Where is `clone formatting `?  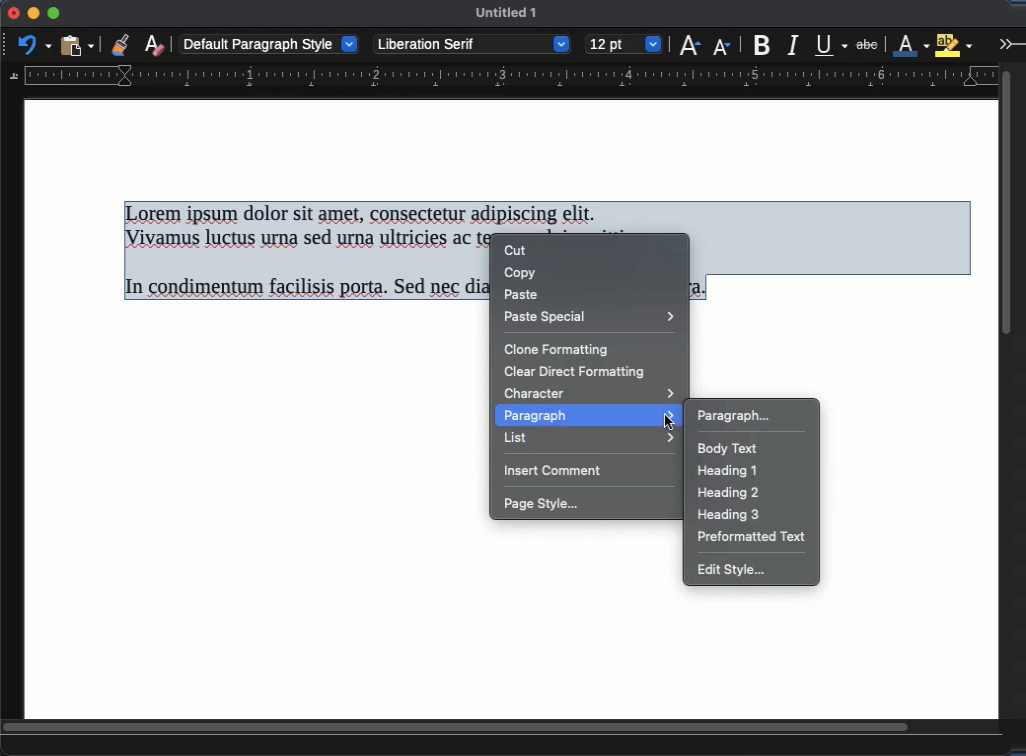 clone formatting  is located at coordinates (559, 352).